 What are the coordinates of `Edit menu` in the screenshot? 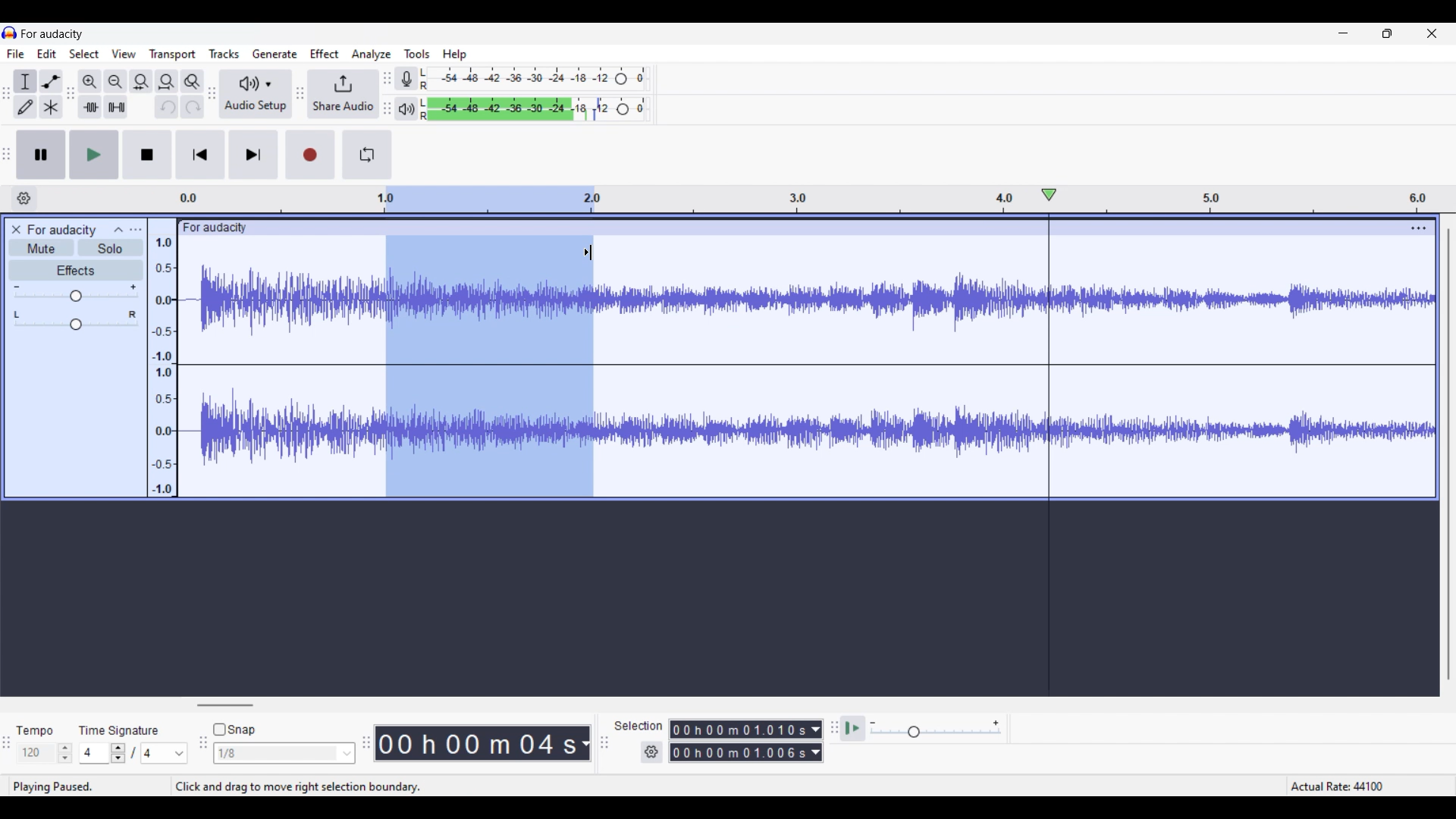 It's located at (46, 54).